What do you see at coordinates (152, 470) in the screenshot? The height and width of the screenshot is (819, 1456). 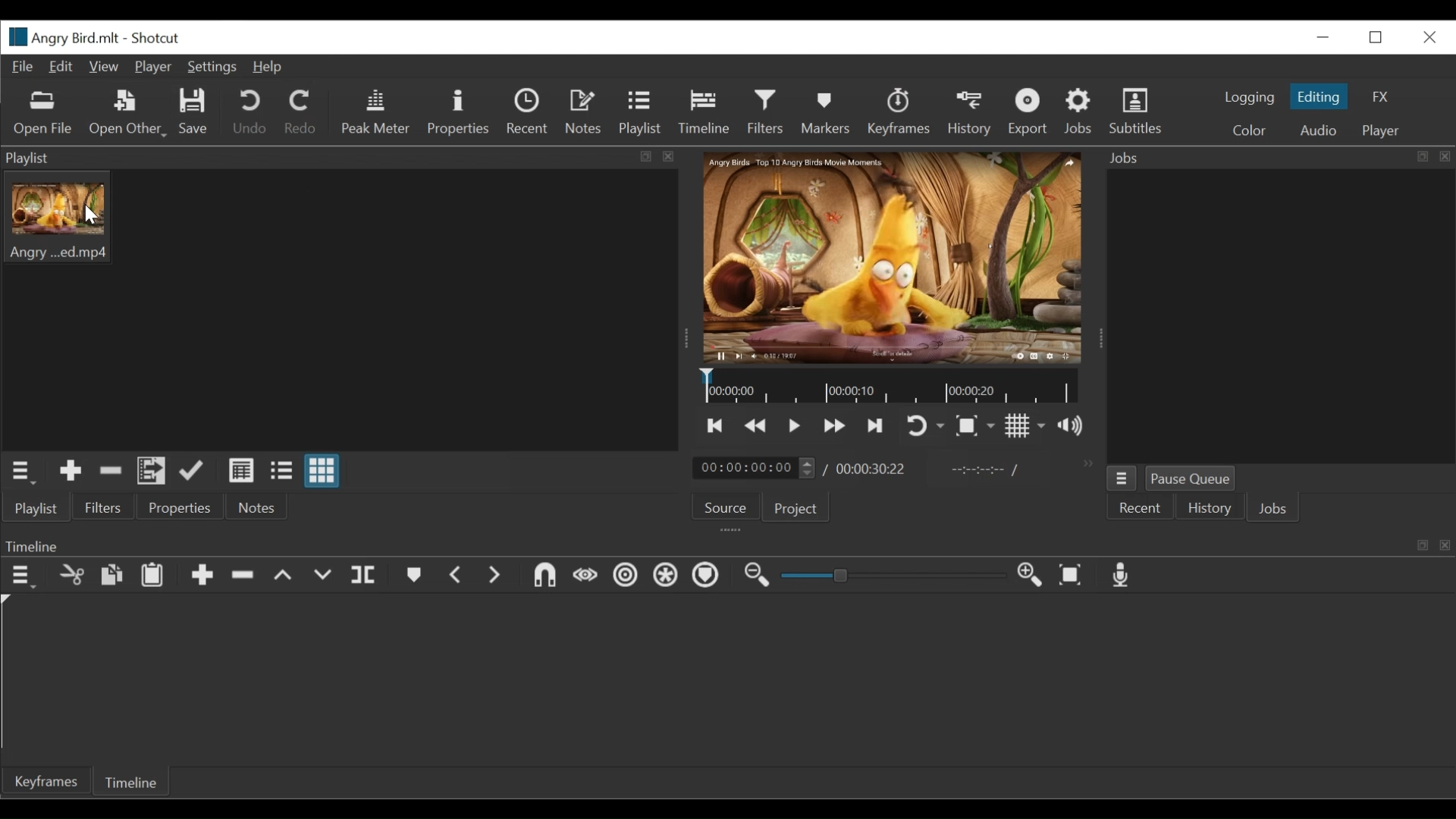 I see `Add filesto the playlist` at bounding box center [152, 470].